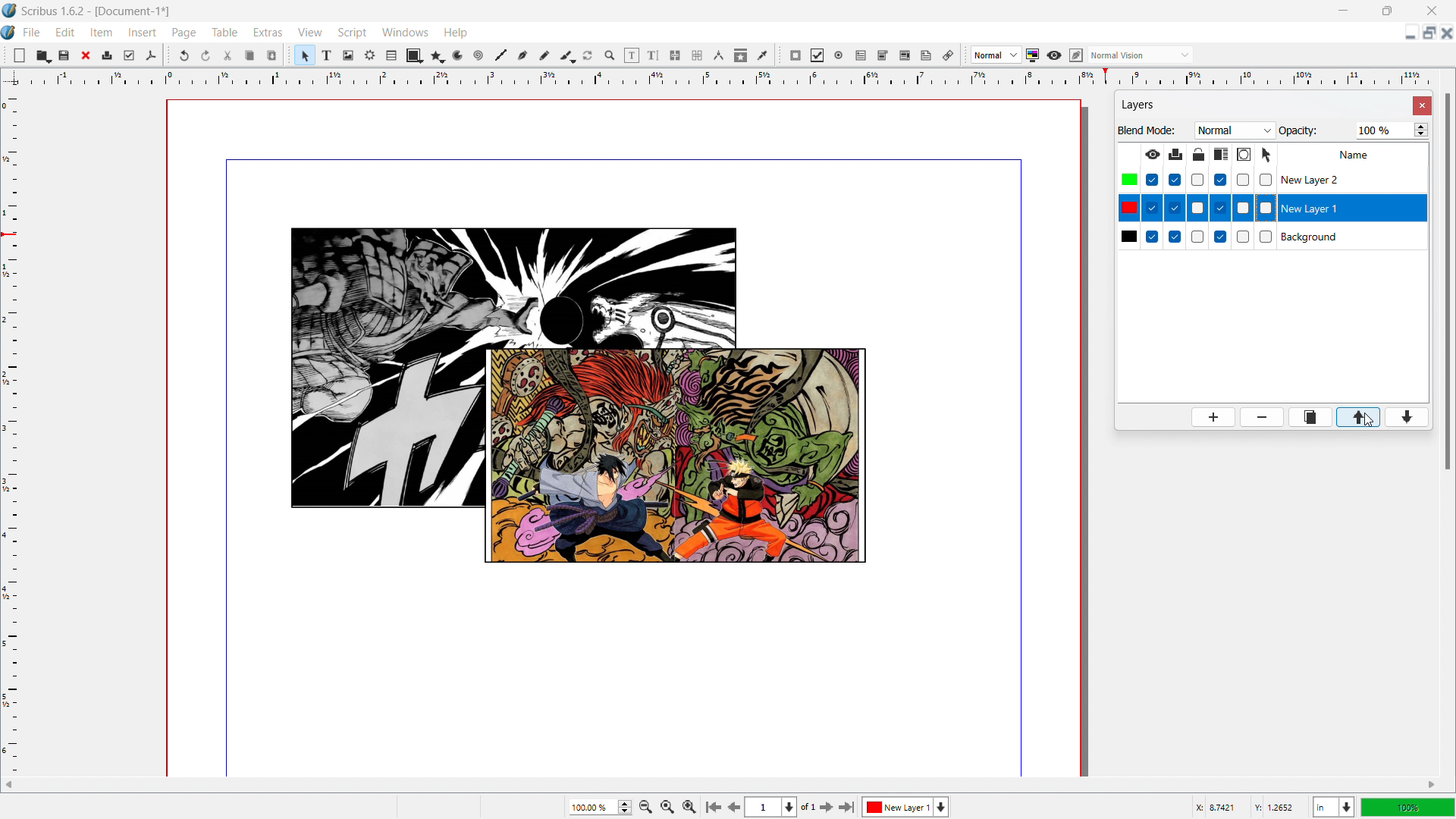  Describe the element at coordinates (1407, 418) in the screenshot. I see `move layer down` at that location.